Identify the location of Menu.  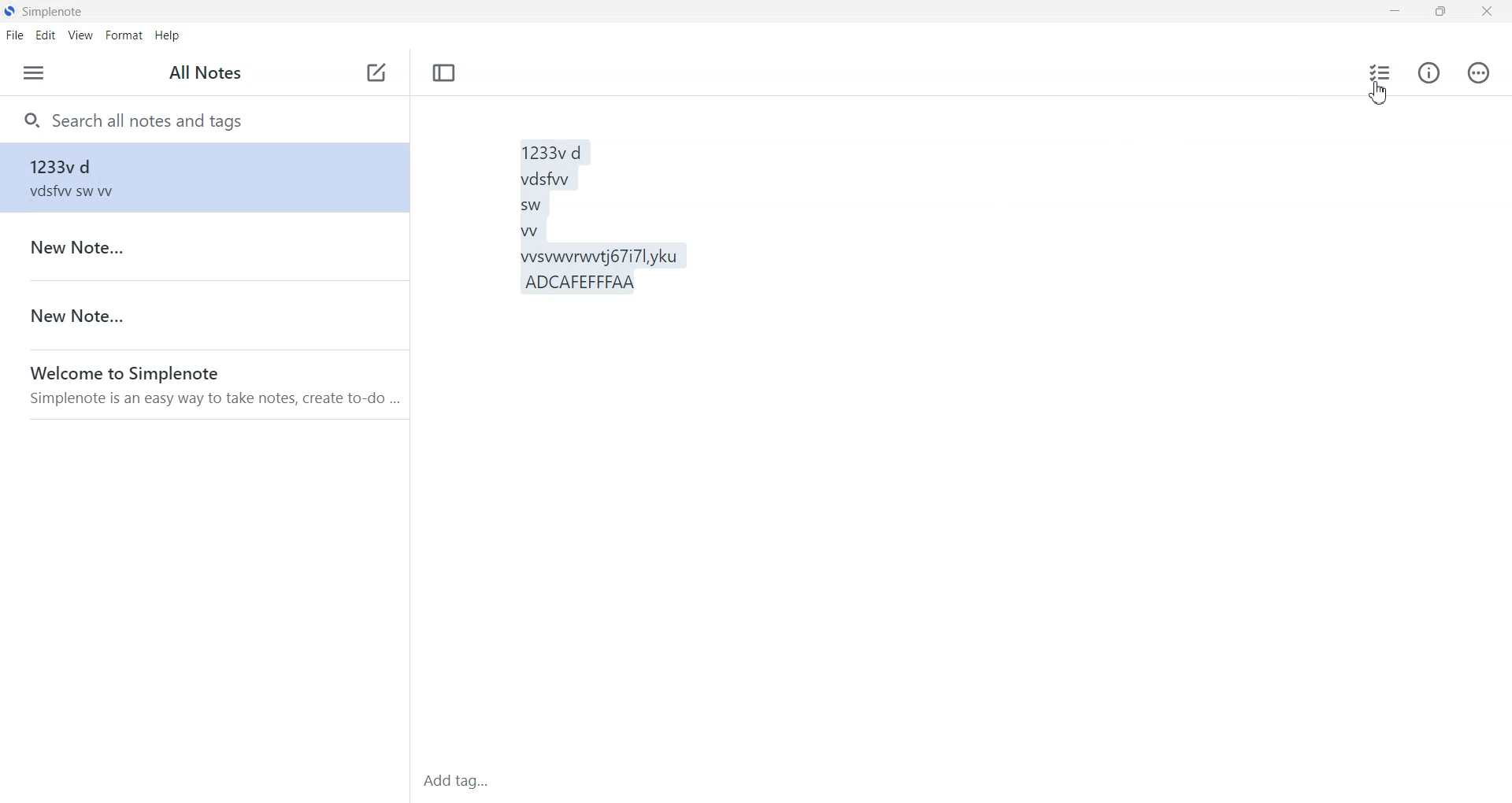
(34, 73).